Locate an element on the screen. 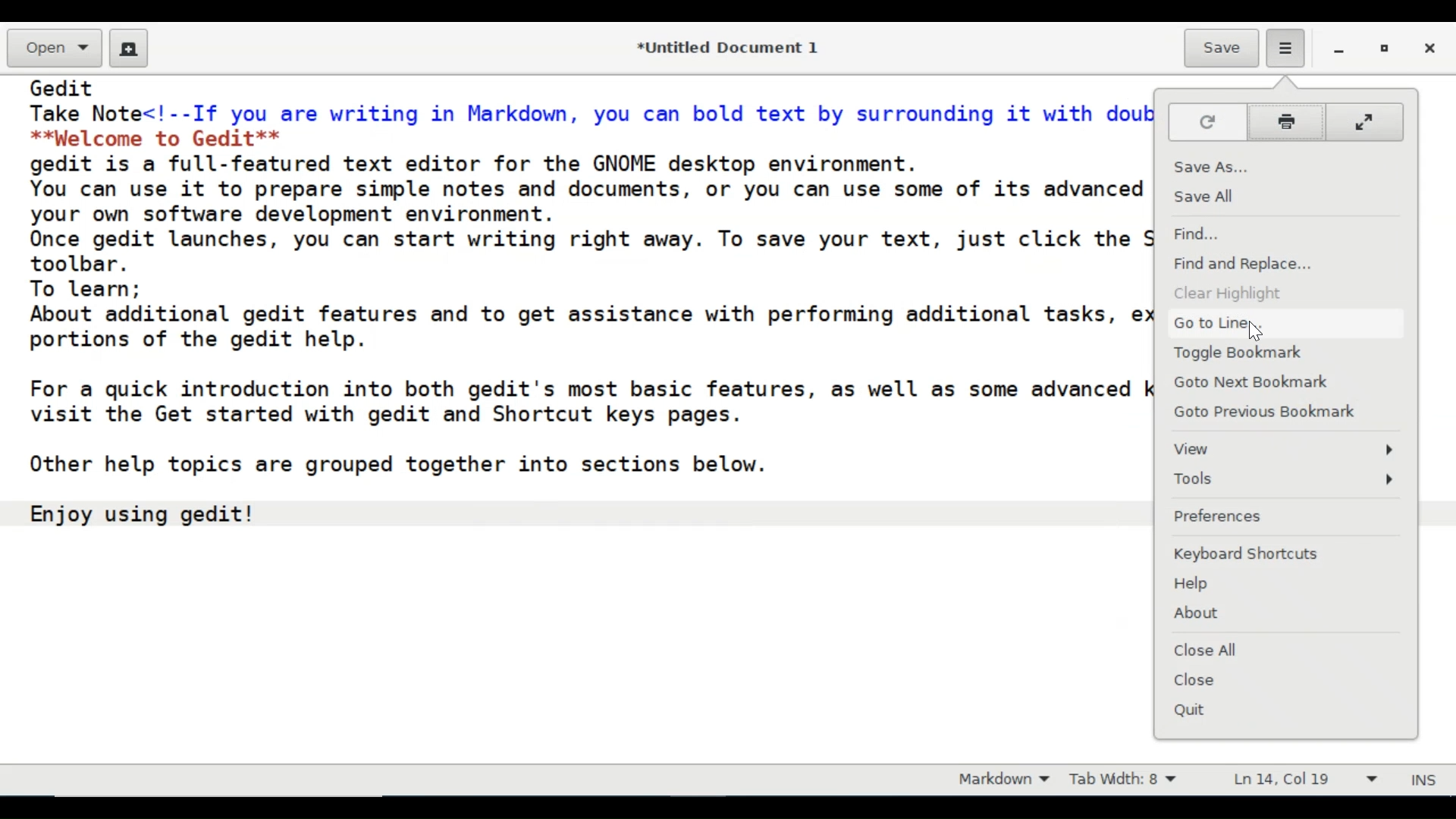 The height and width of the screenshot is (819, 1456). Keyboard Shortcuts is located at coordinates (1245, 556).